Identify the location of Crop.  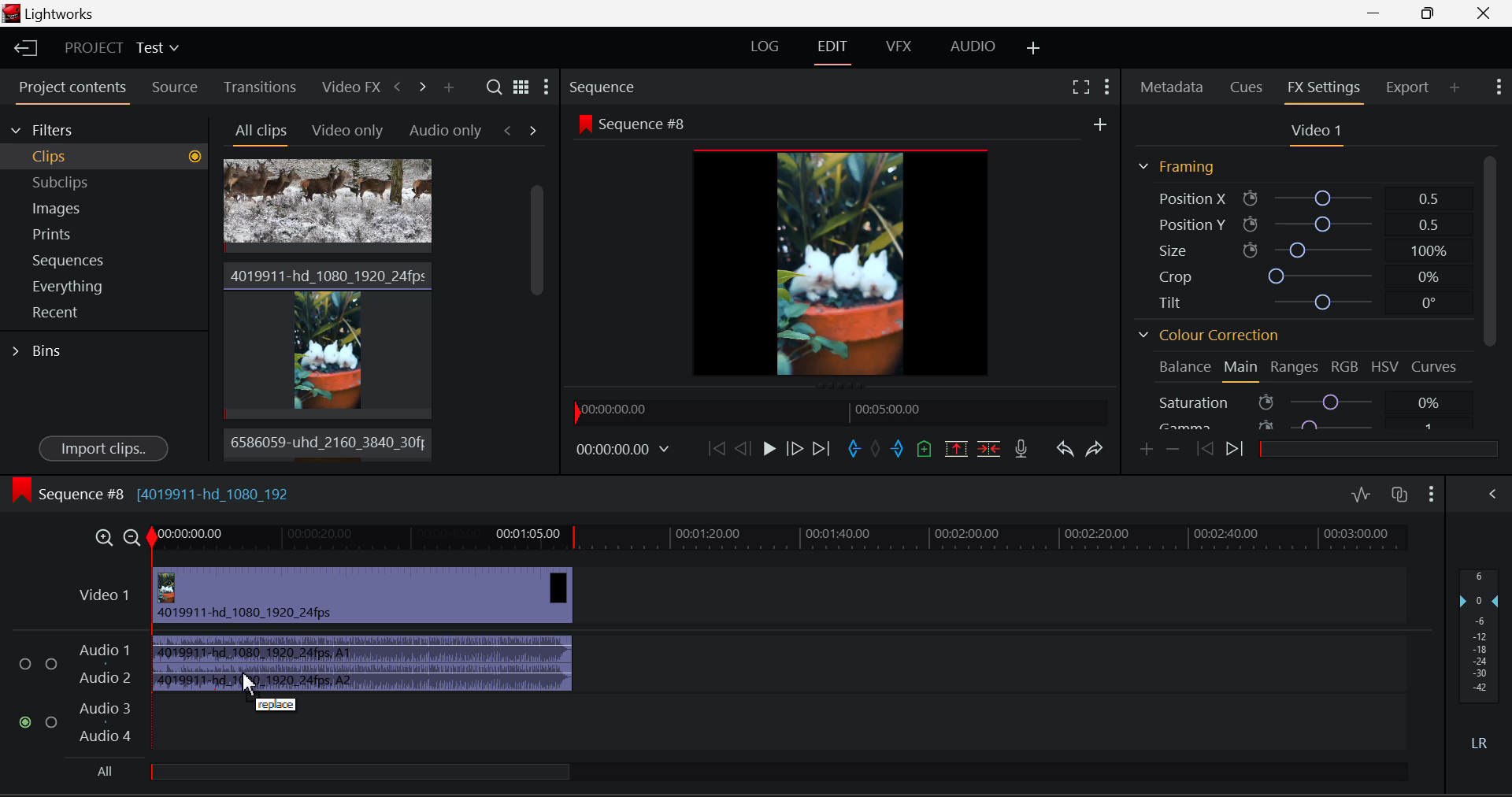
(1306, 276).